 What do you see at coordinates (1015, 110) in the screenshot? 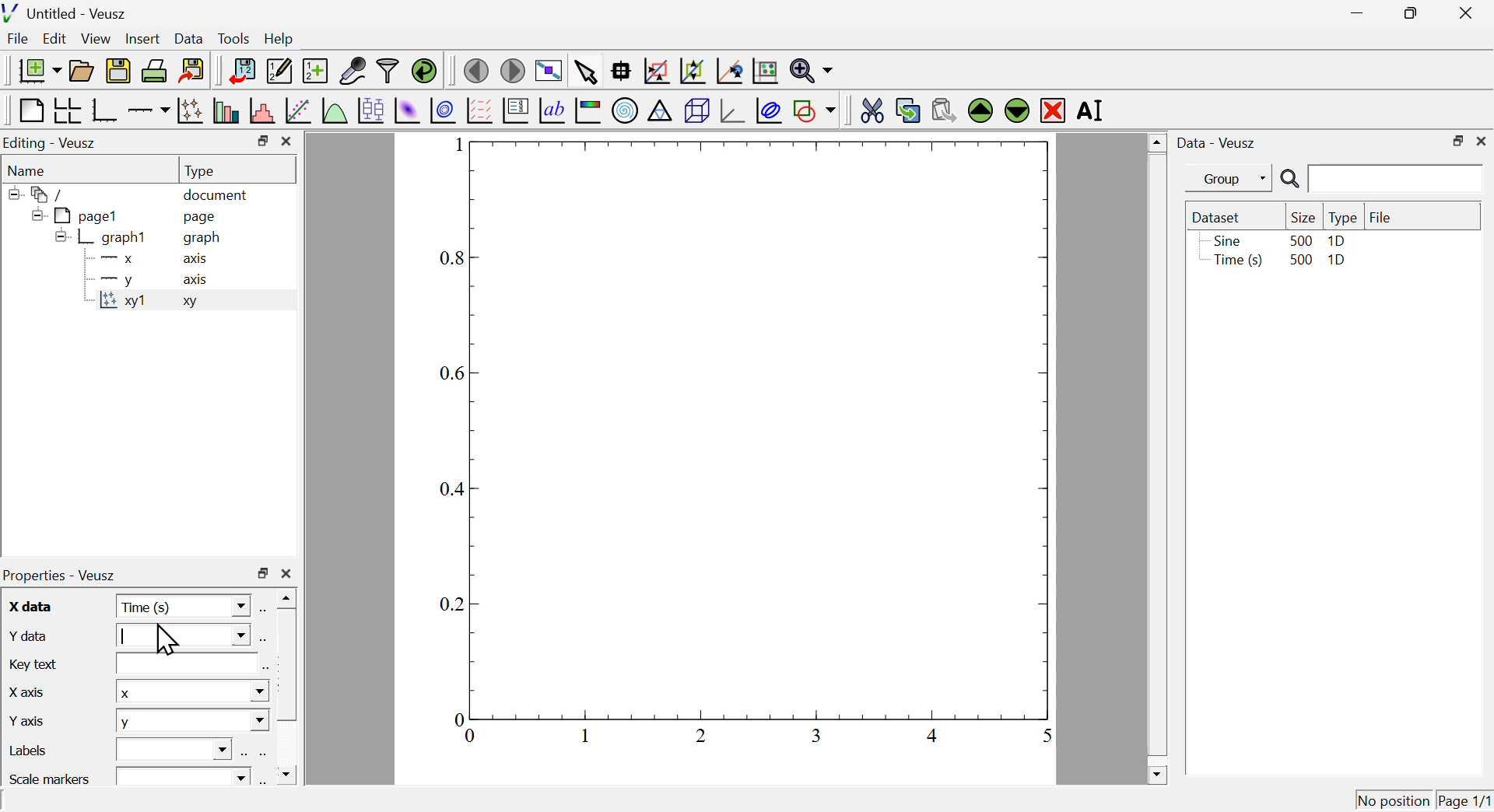
I see `move the selected widget down` at bounding box center [1015, 110].